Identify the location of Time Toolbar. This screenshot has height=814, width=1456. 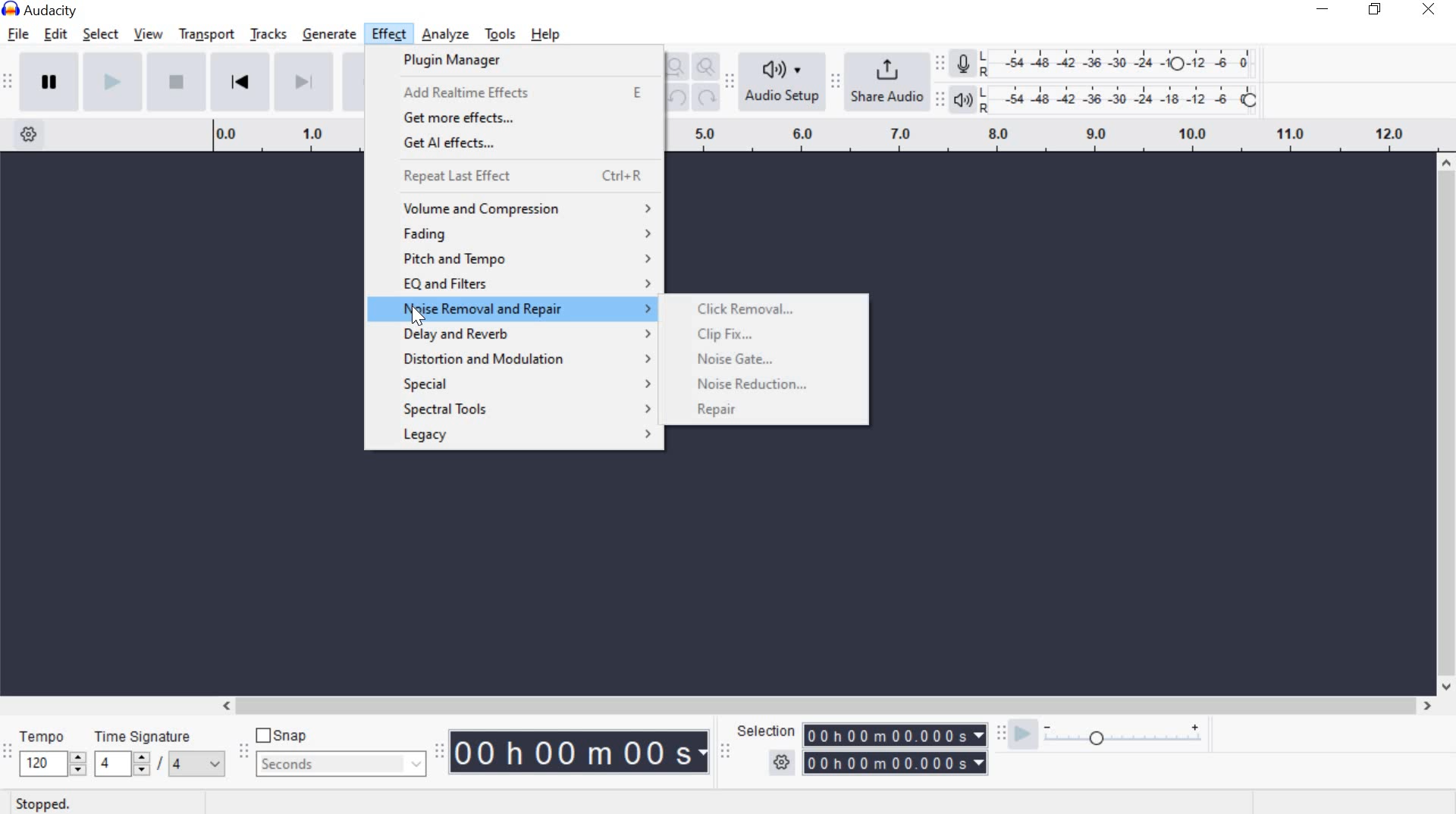
(438, 751).